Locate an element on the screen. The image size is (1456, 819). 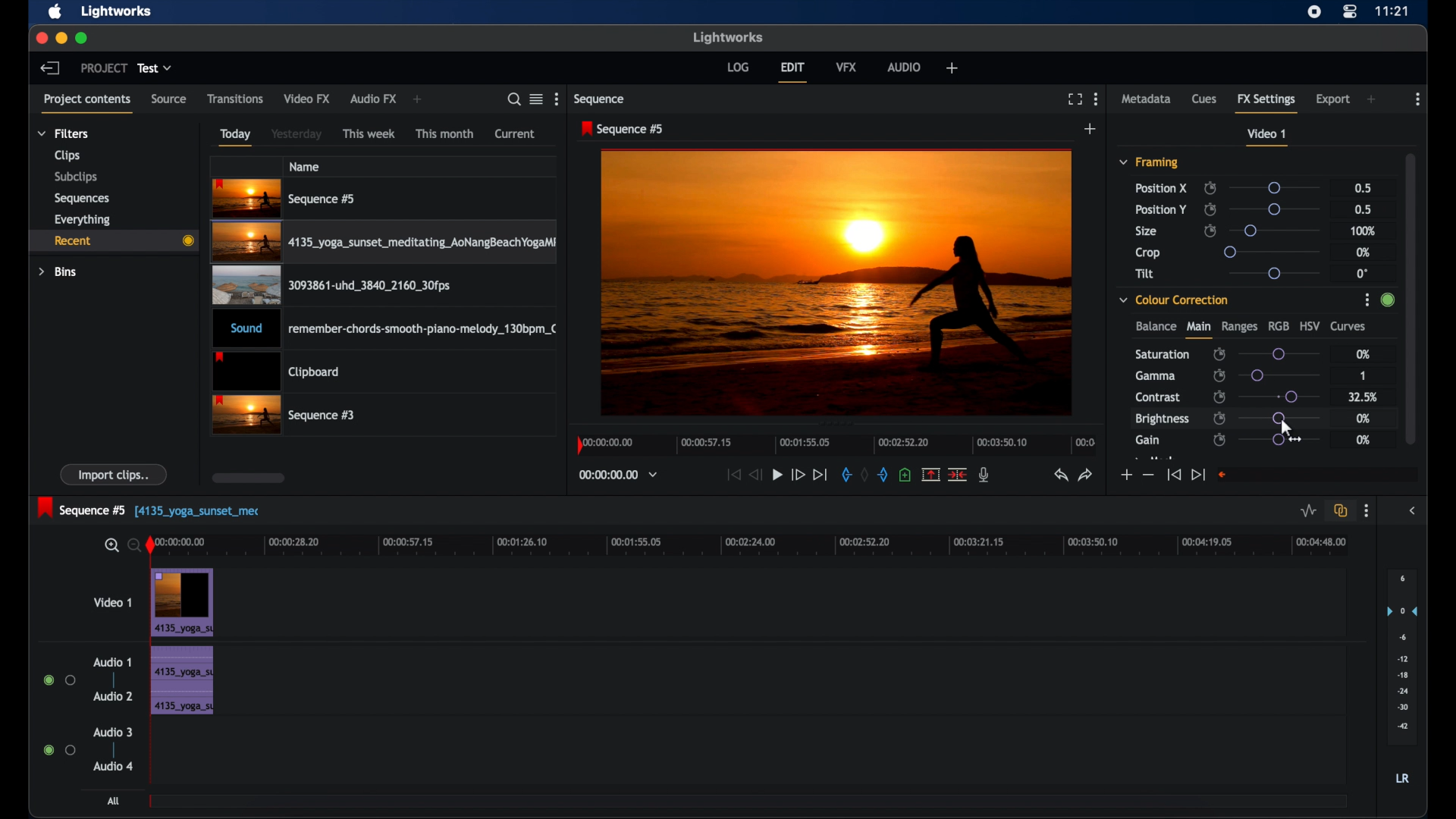
edit is located at coordinates (792, 72).